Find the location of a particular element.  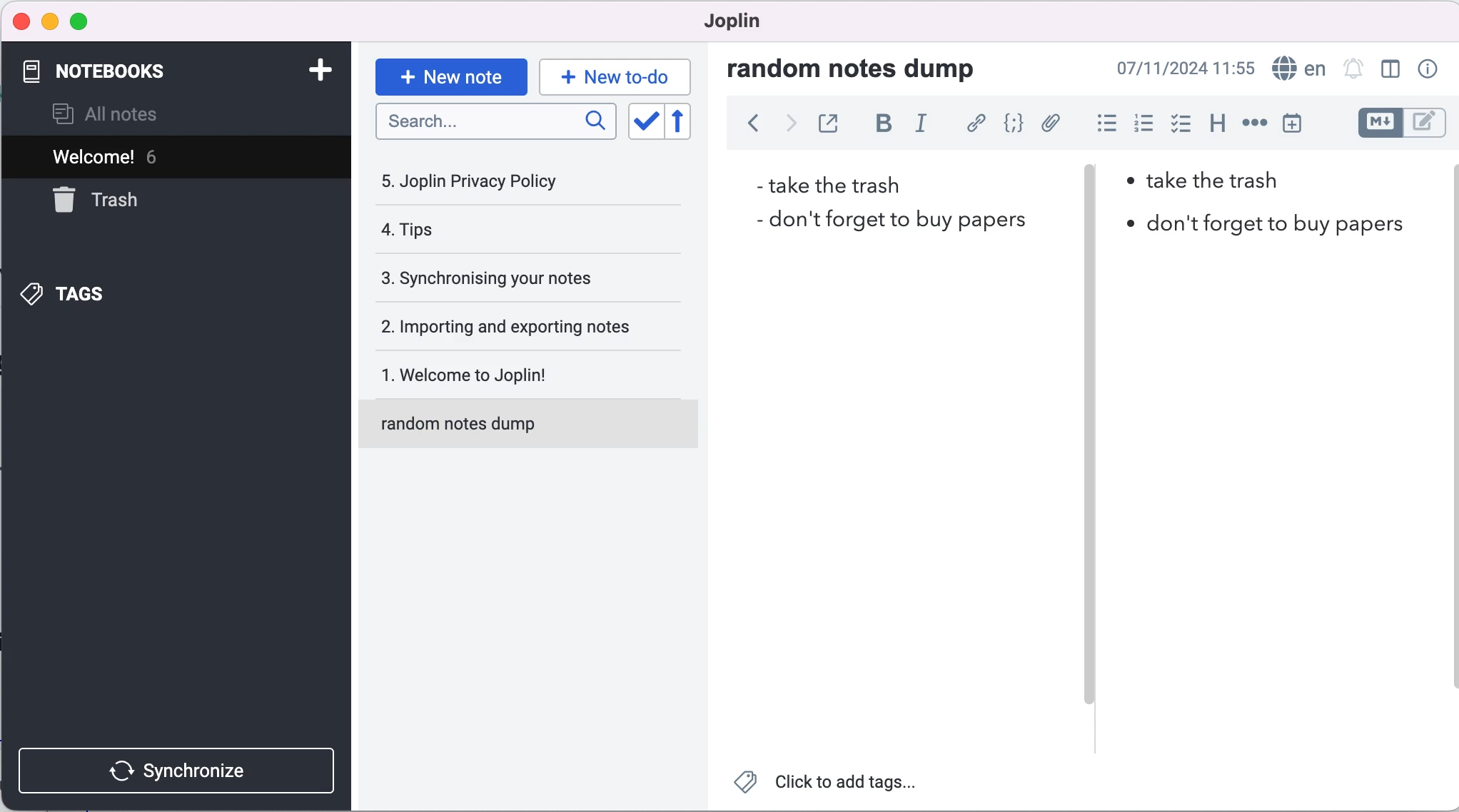

minimize is located at coordinates (49, 22).